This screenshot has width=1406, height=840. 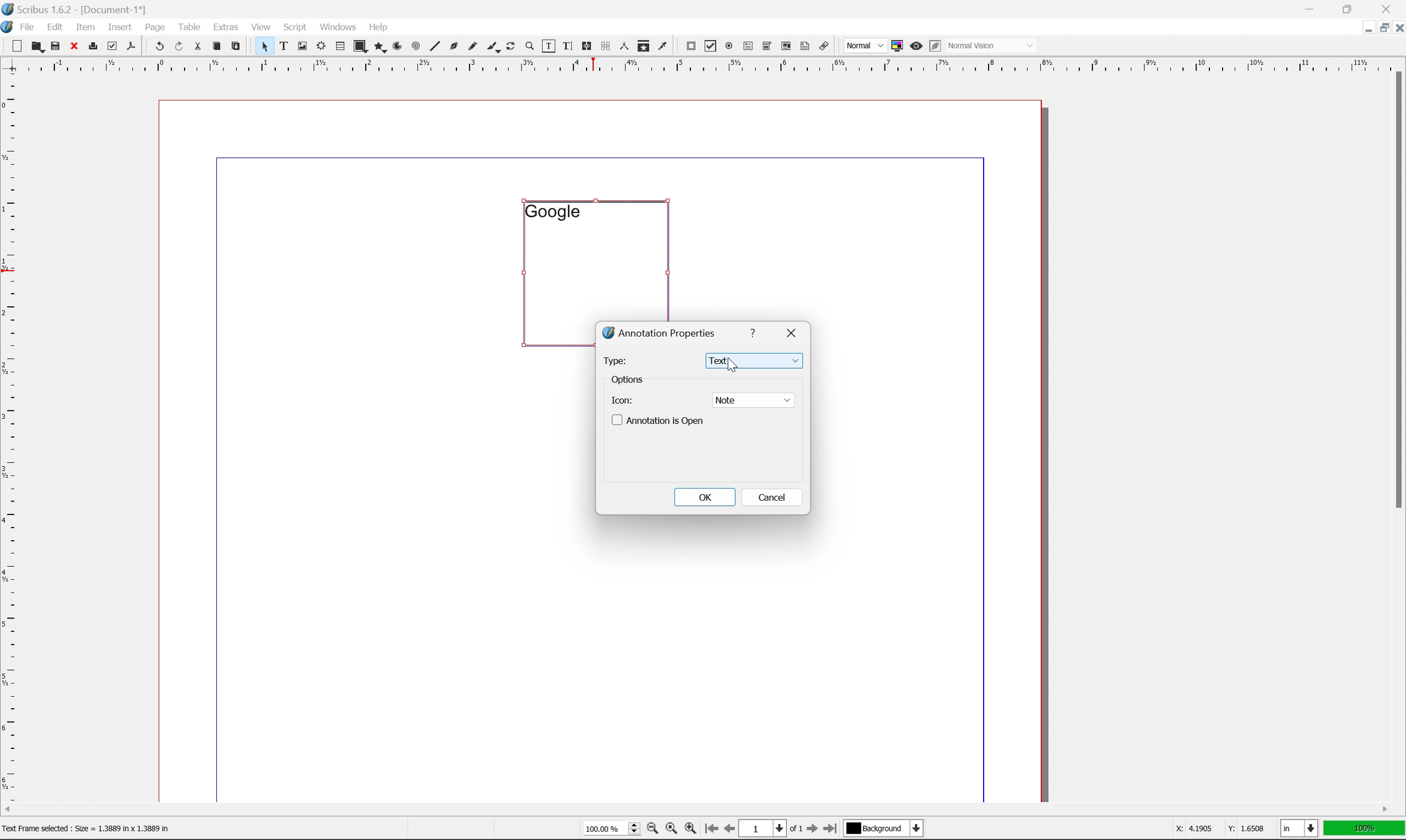 What do you see at coordinates (295, 27) in the screenshot?
I see `script` at bounding box center [295, 27].